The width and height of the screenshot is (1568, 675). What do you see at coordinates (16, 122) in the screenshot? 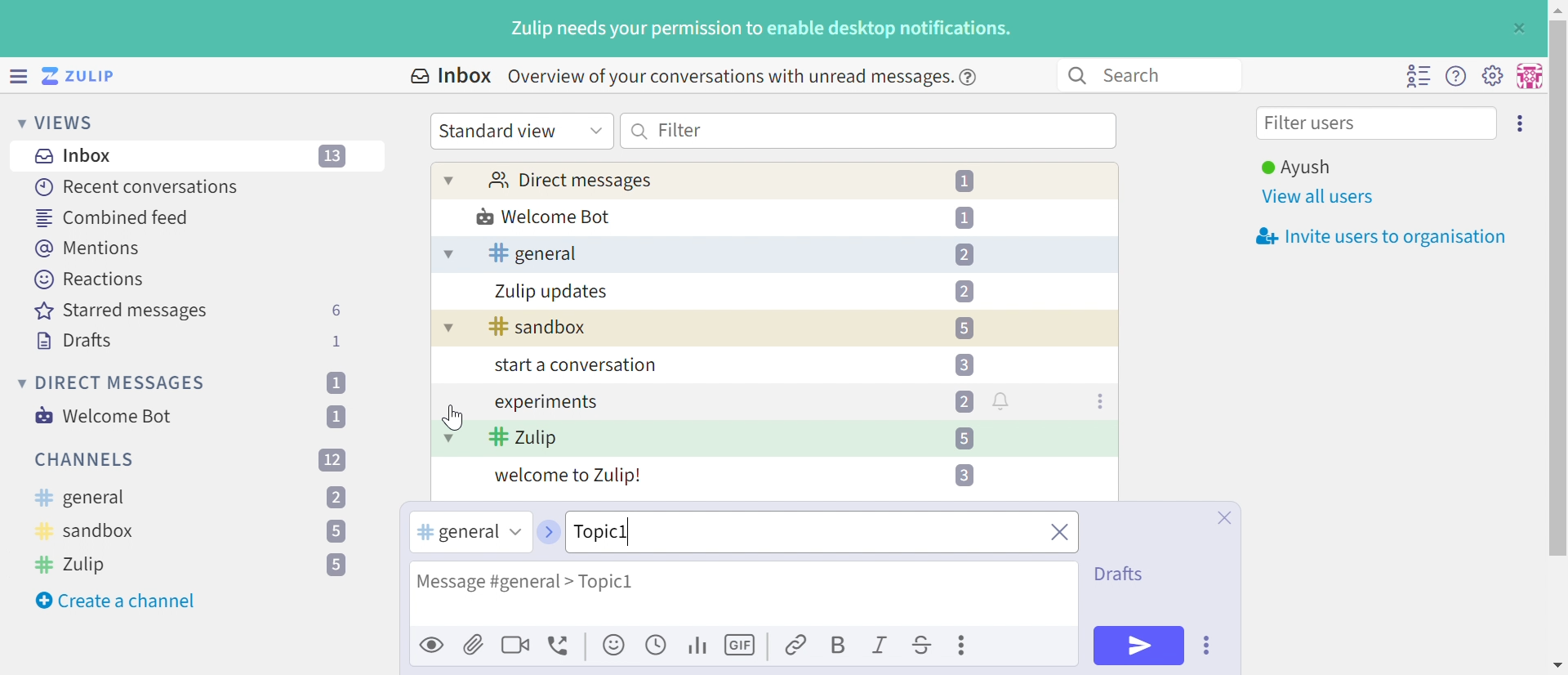
I see `Drop Down` at bounding box center [16, 122].